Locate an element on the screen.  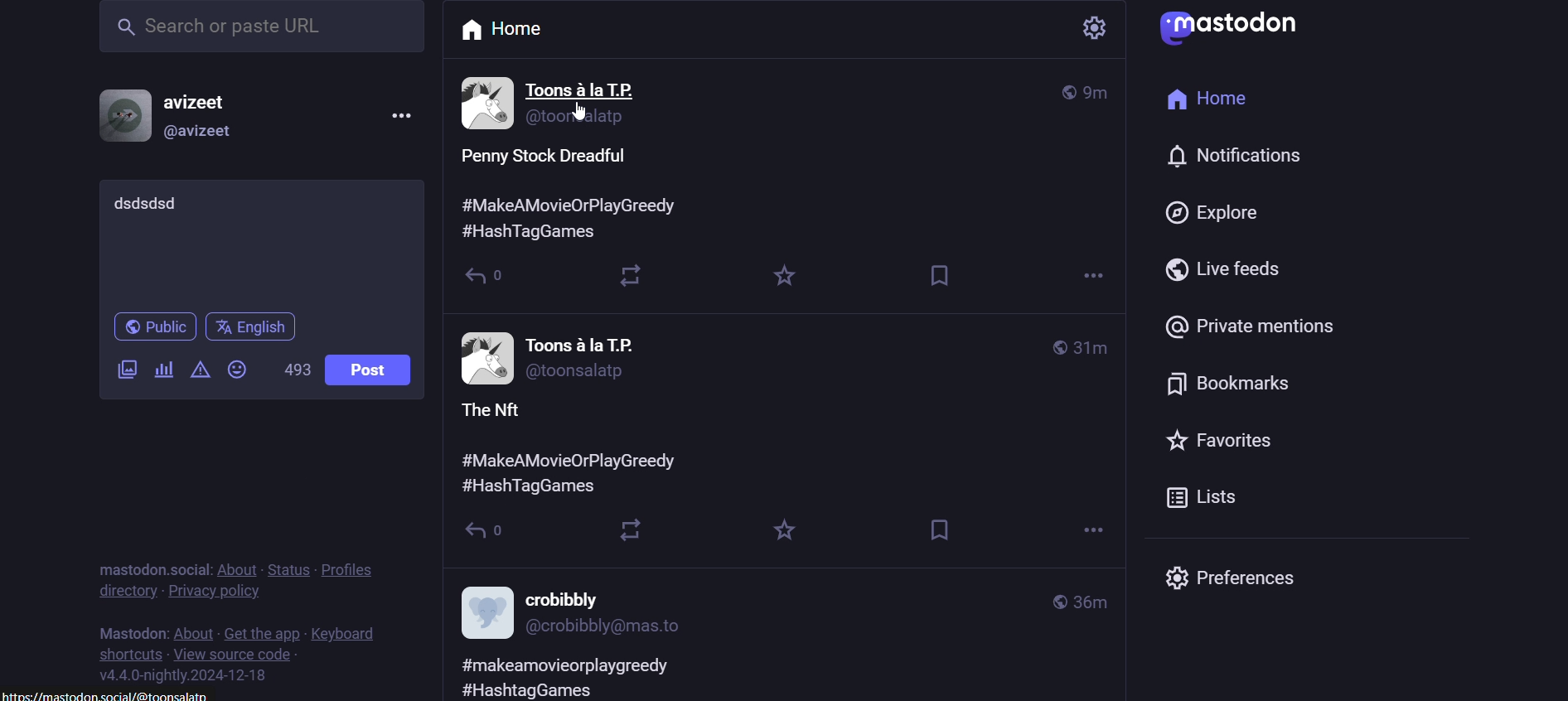
setting is located at coordinates (1084, 26).